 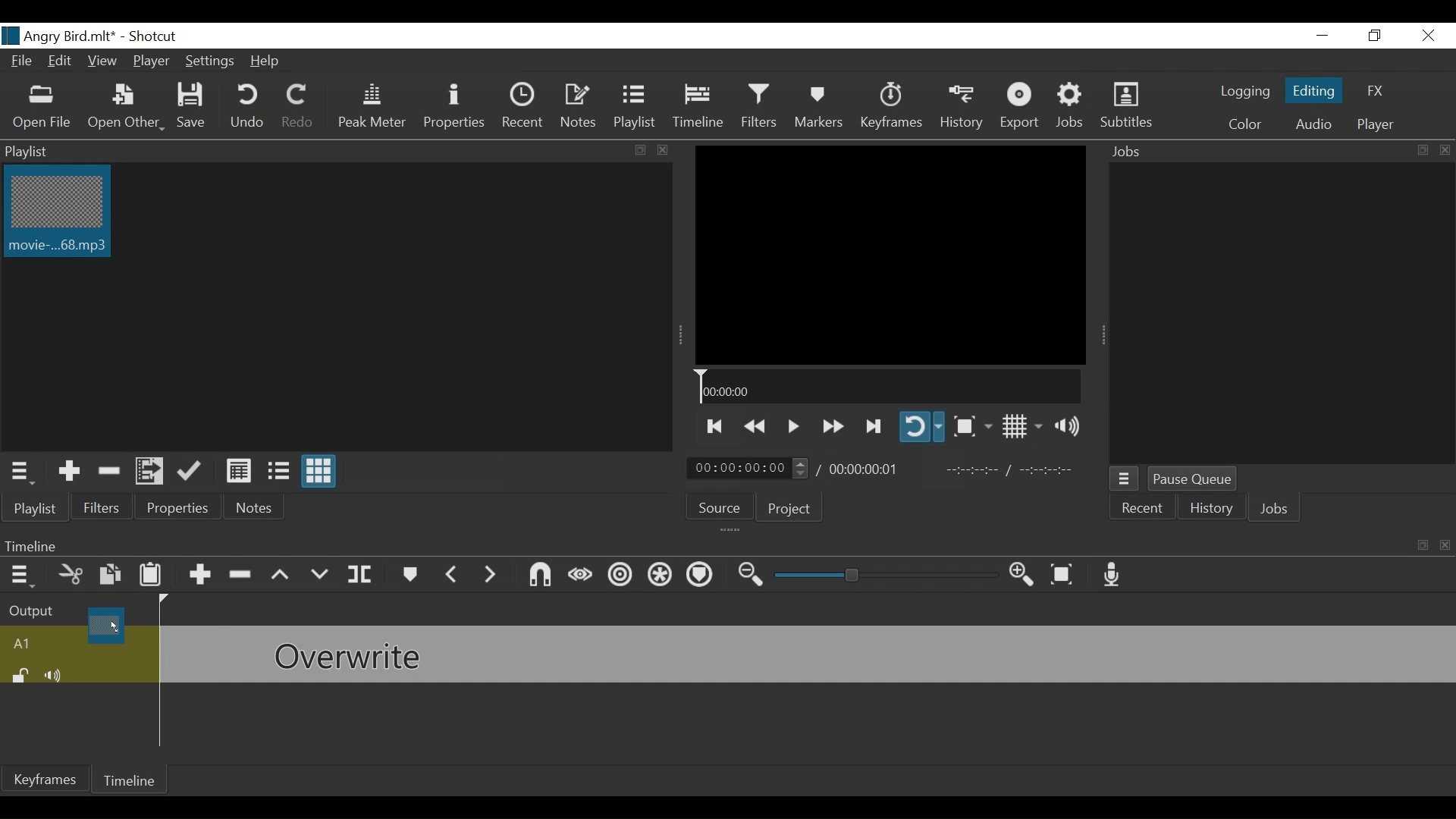 What do you see at coordinates (748, 576) in the screenshot?
I see `Zoom timeline out` at bounding box center [748, 576].